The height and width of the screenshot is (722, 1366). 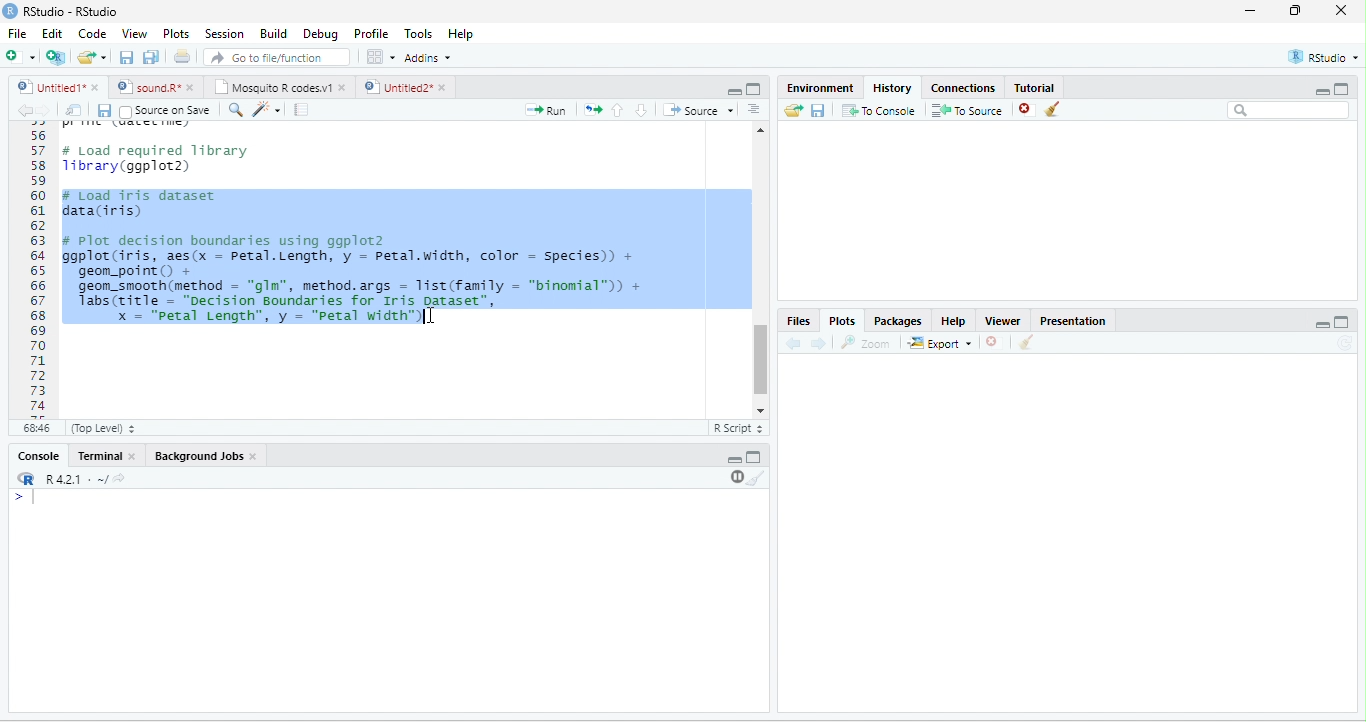 What do you see at coordinates (821, 87) in the screenshot?
I see `Environment` at bounding box center [821, 87].